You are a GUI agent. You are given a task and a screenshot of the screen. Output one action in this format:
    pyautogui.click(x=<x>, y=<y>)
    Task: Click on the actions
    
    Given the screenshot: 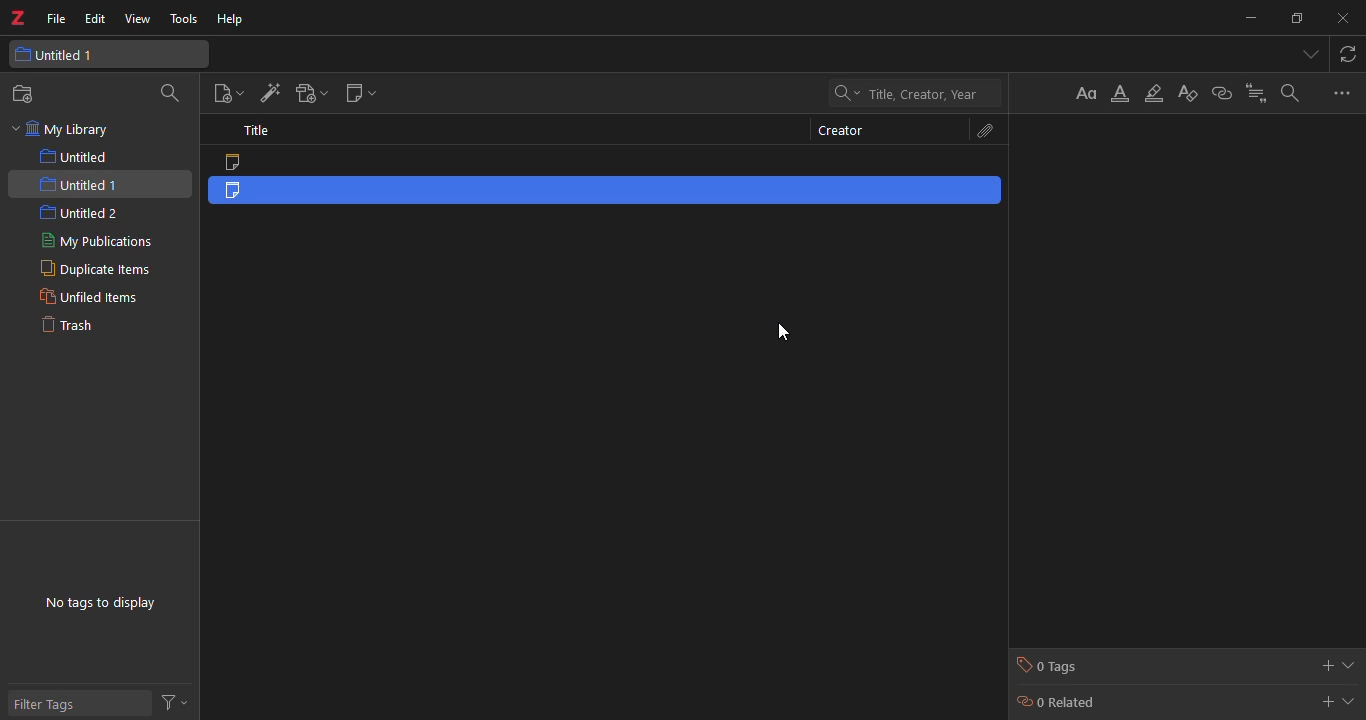 What is the action you would take?
    pyautogui.click(x=174, y=700)
    